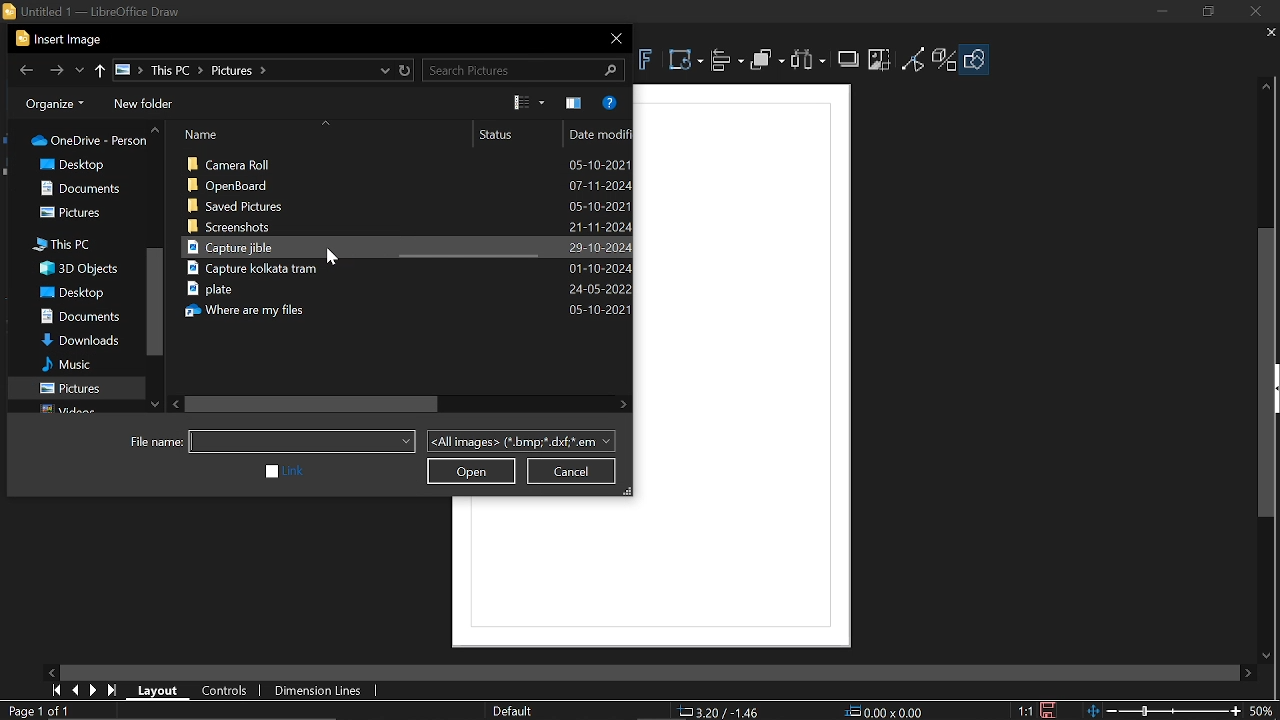  What do you see at coordinates (722, 712) in the screenshot?
I see `Position` at bounding box center [722, 712].